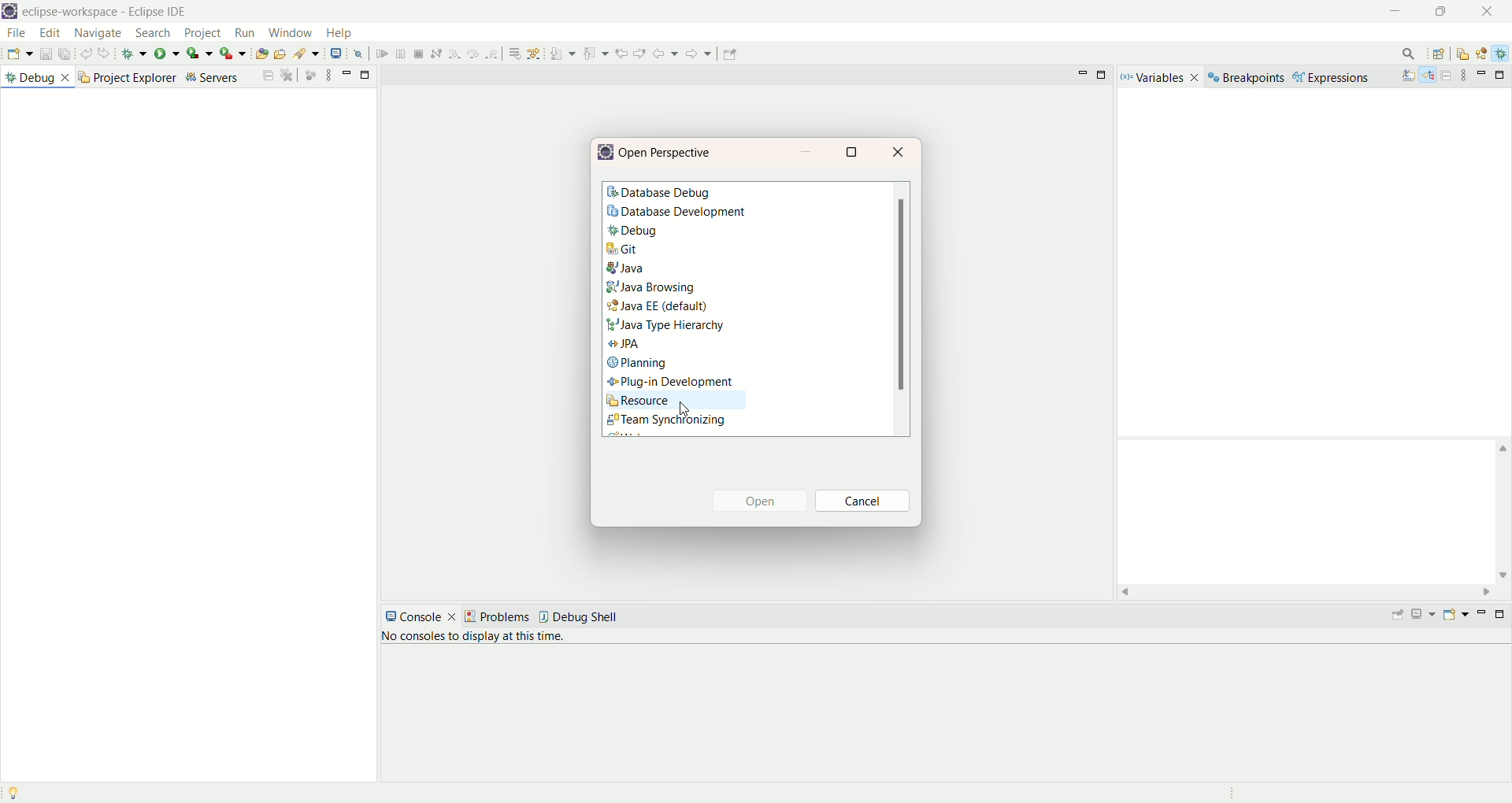 The width and height of the screenshot is (1512, 803). Describe the element at coordinates (1333, 80) in the screenshot. I see `expressions` at that location.